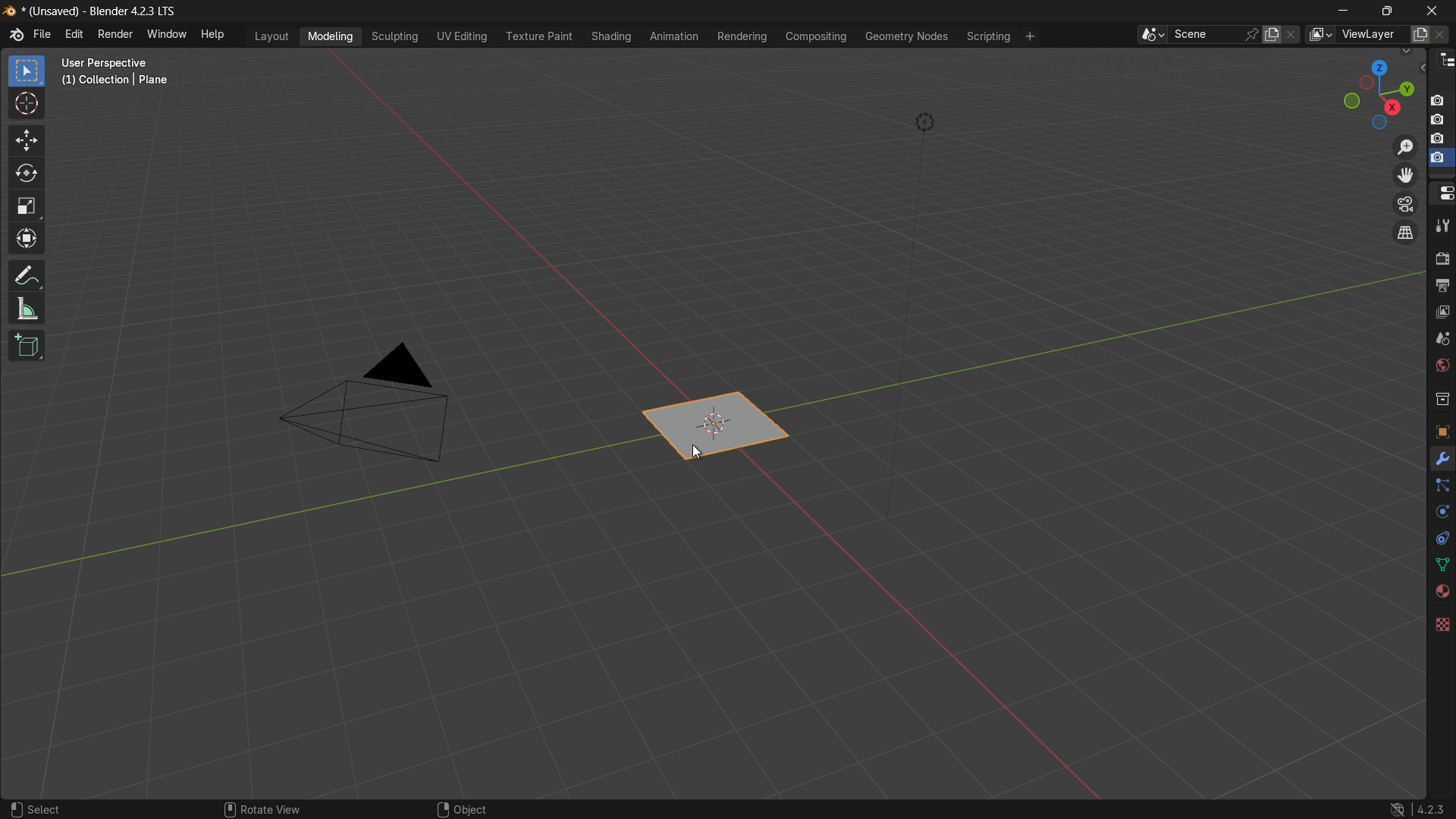 Image resolution: width=1456 pixels, height=819 pixels. I want to click on rotate view, so click(257, 808).